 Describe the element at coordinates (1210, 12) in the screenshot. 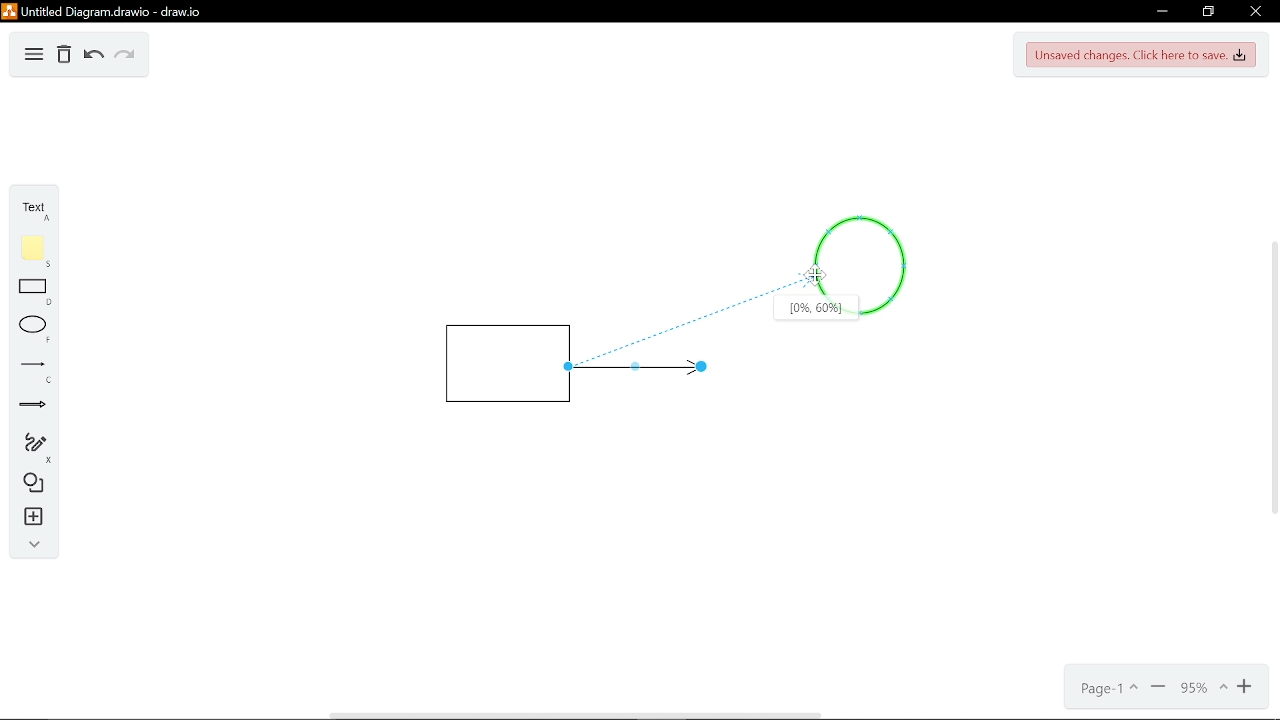

I see `Restore down` at that location.